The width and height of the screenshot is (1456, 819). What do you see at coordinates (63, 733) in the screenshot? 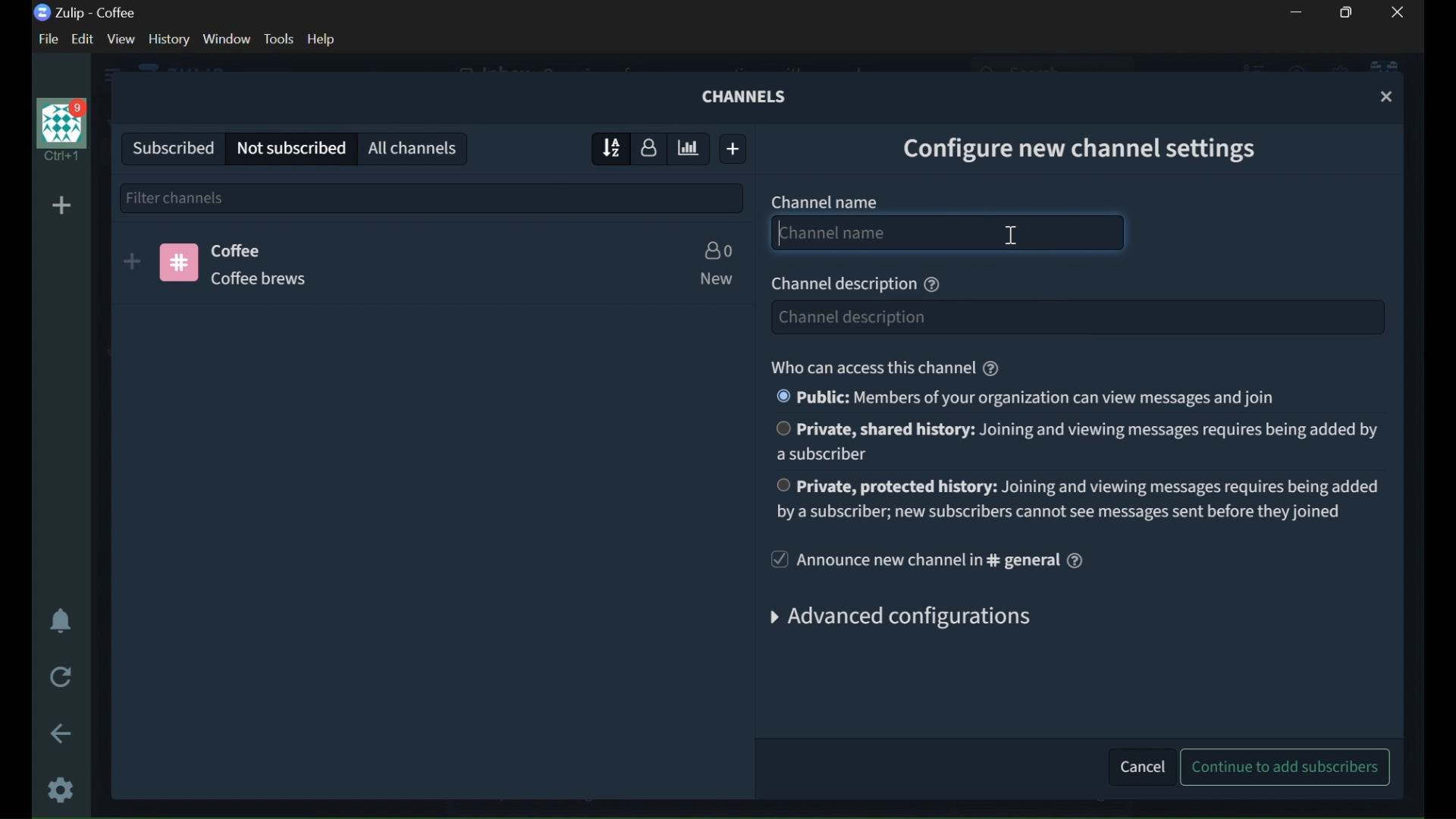
I see `GO BACK` at bounding box center [63, 733].